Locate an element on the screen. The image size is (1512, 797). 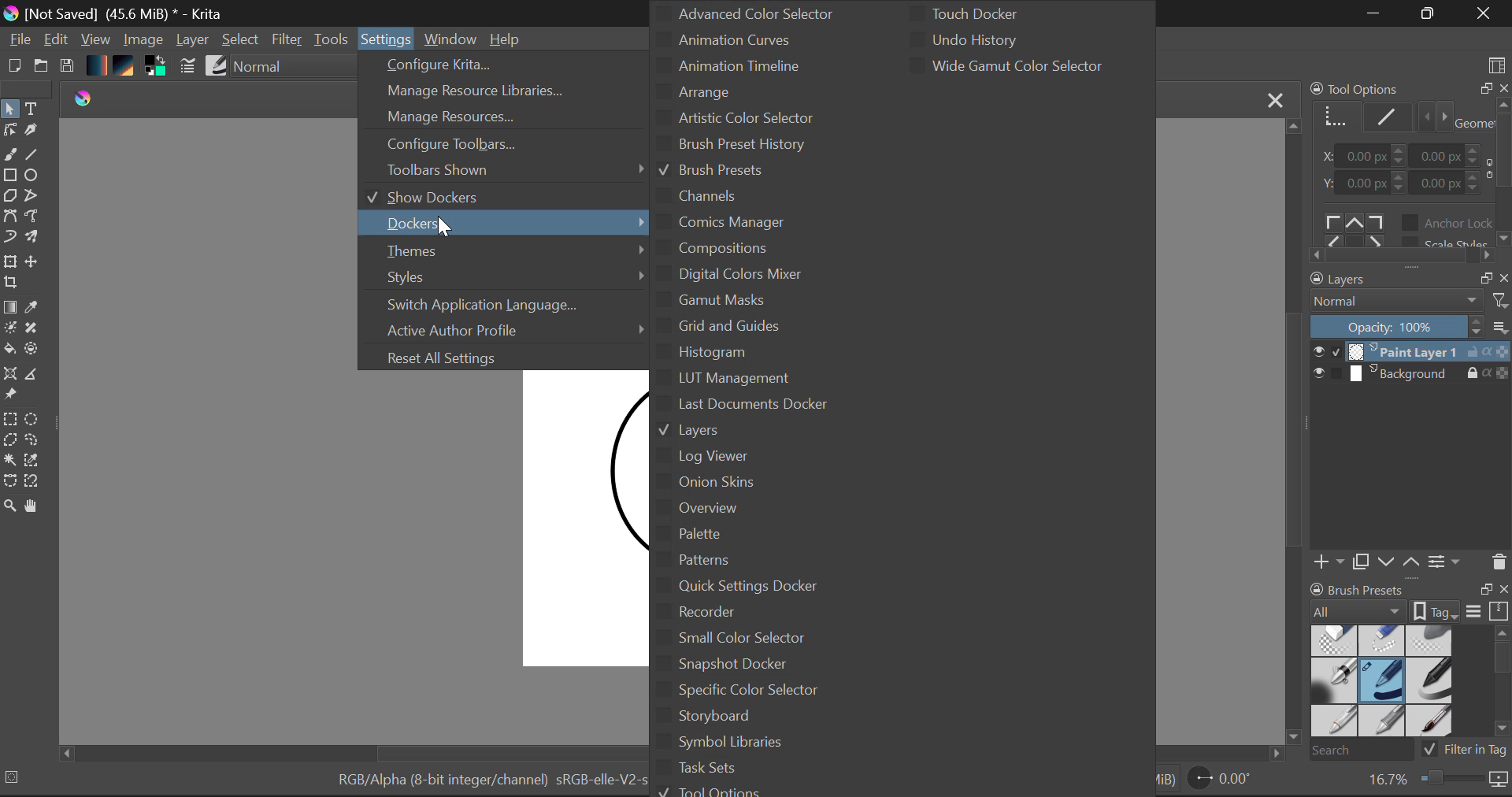
Reset All Settings is located at coordinates (499, 358).